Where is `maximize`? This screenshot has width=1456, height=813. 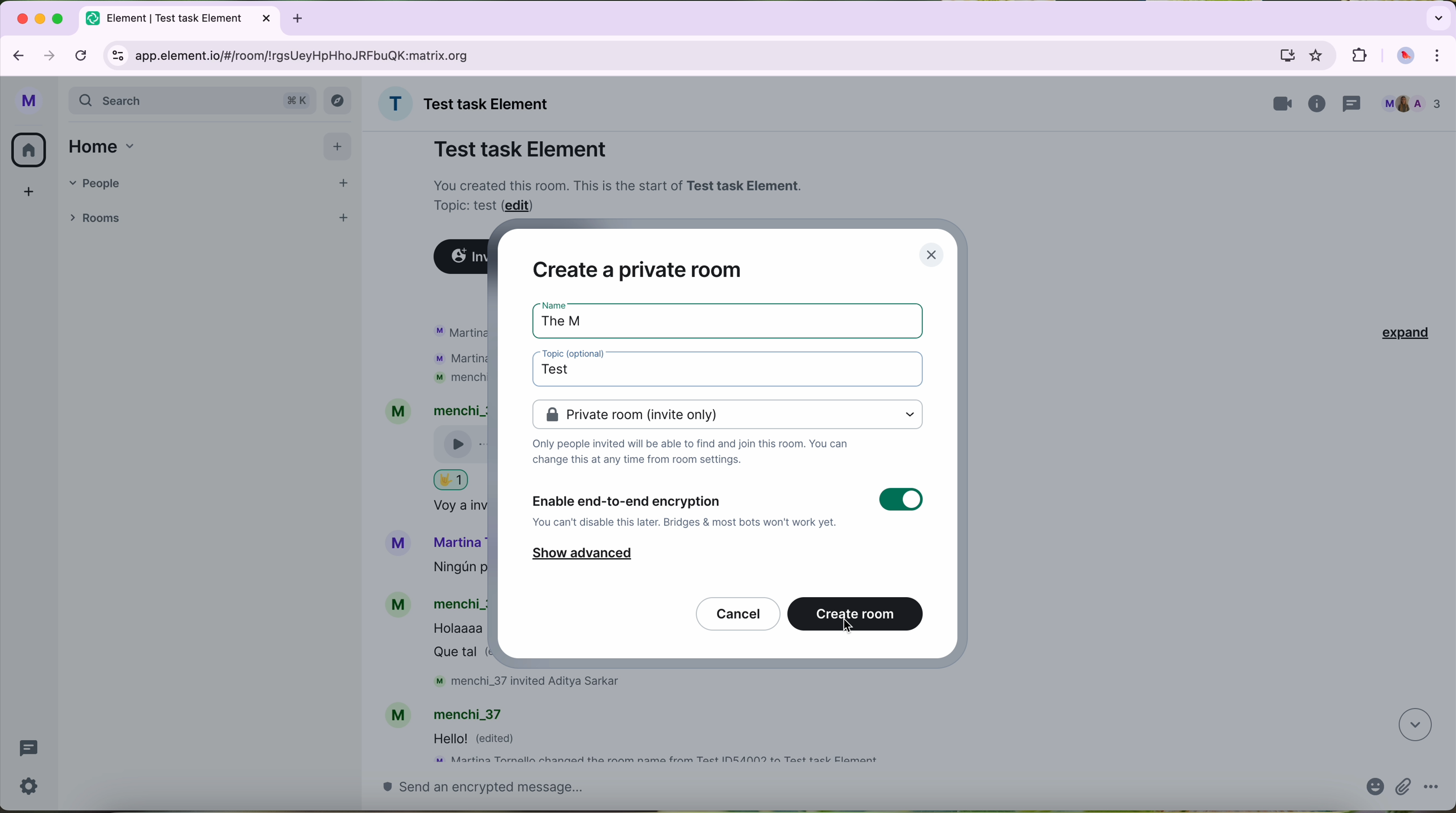
maximize is located at coordinates (59, 18).